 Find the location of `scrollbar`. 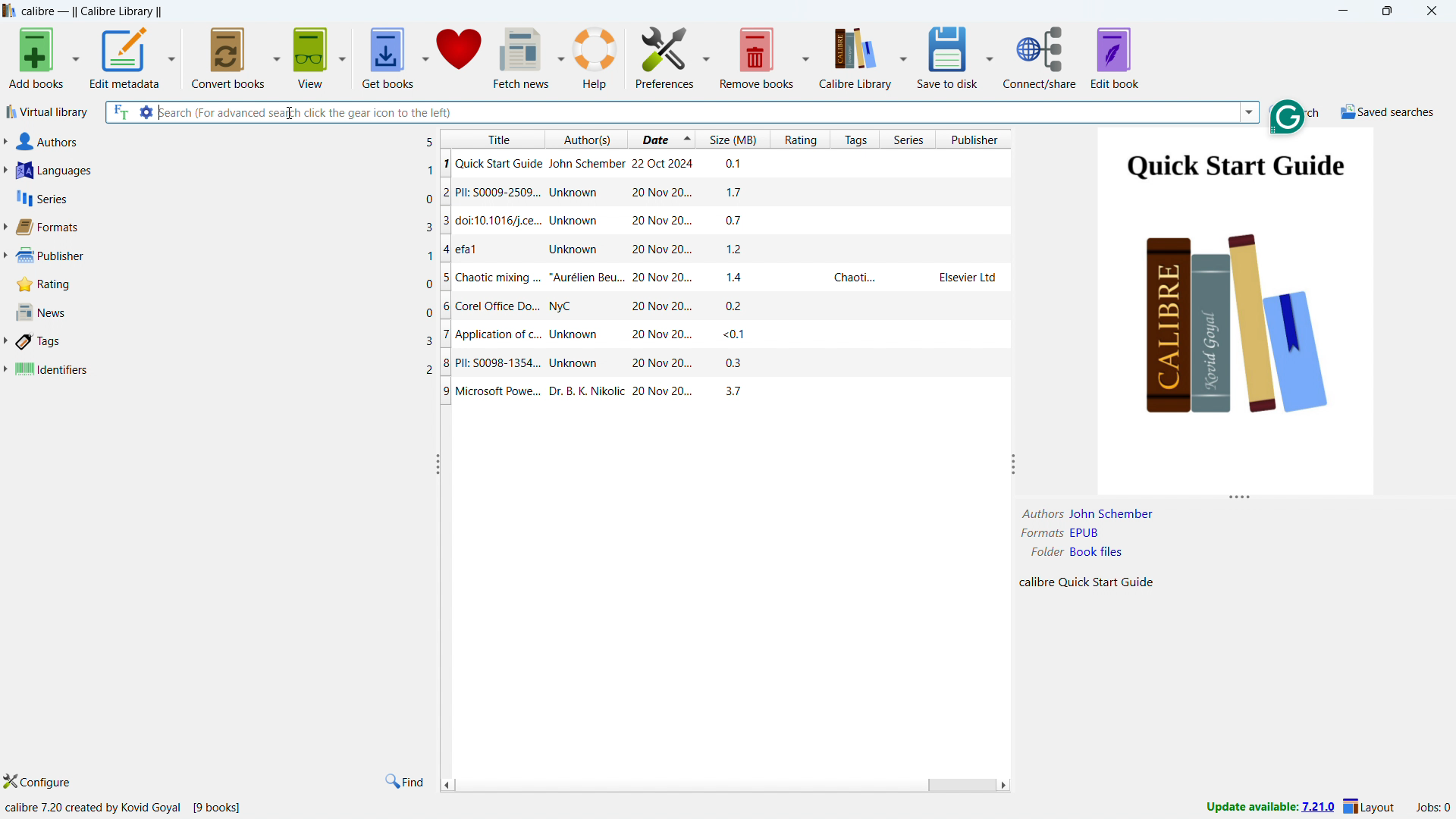

scrollbar is located at coordinates (962, 784).